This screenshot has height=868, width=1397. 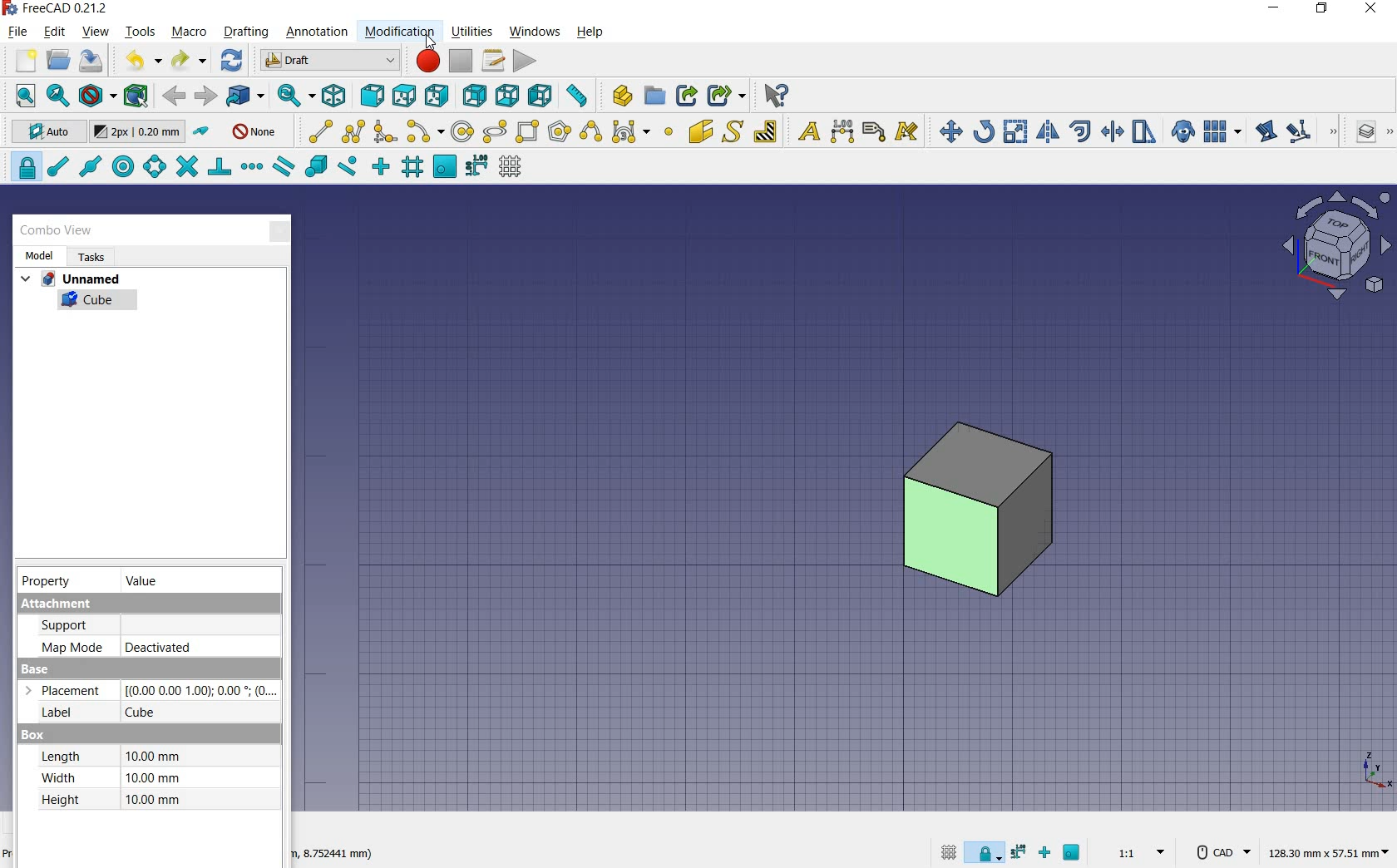 I want to click on offset, so click(x=1081, y=131).